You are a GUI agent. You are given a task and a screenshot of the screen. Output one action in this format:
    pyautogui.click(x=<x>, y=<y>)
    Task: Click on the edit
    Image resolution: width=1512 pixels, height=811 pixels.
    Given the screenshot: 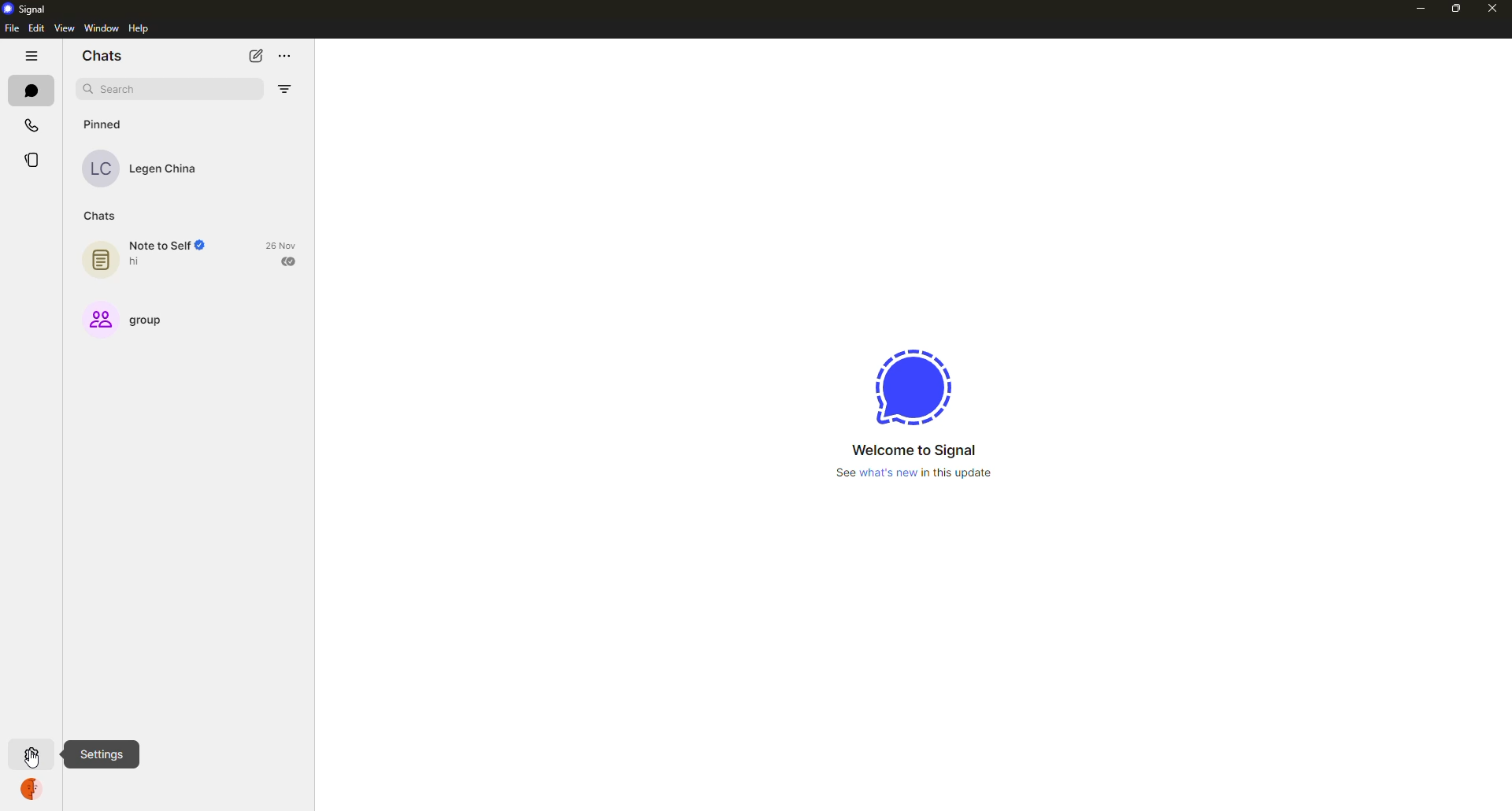 What is the action you would take?
    pyautogui.click(x=36, y=28)
    